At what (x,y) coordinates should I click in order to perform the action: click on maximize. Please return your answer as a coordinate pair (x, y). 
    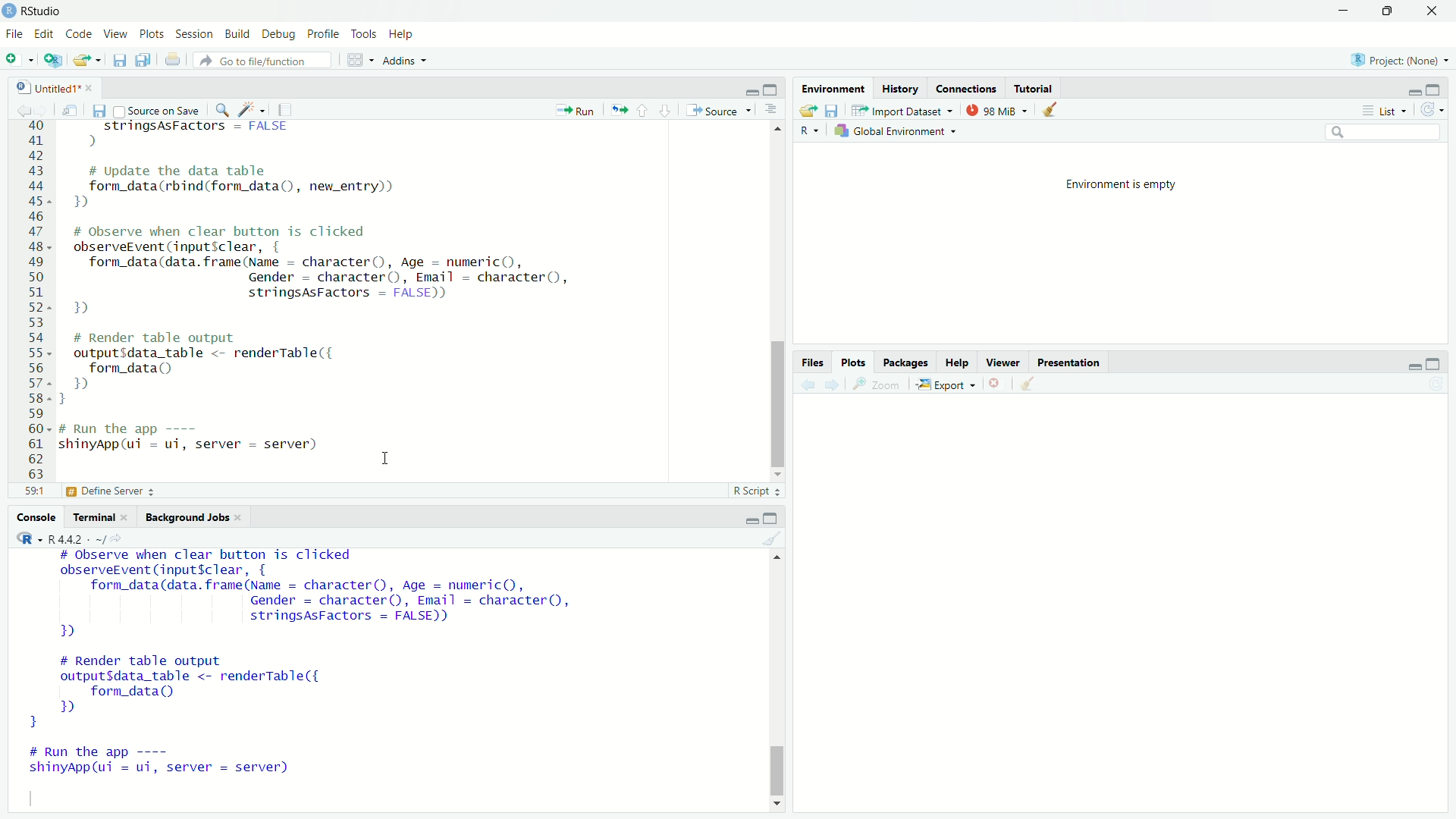
    Looking at the image, I should click on (1441, 362).